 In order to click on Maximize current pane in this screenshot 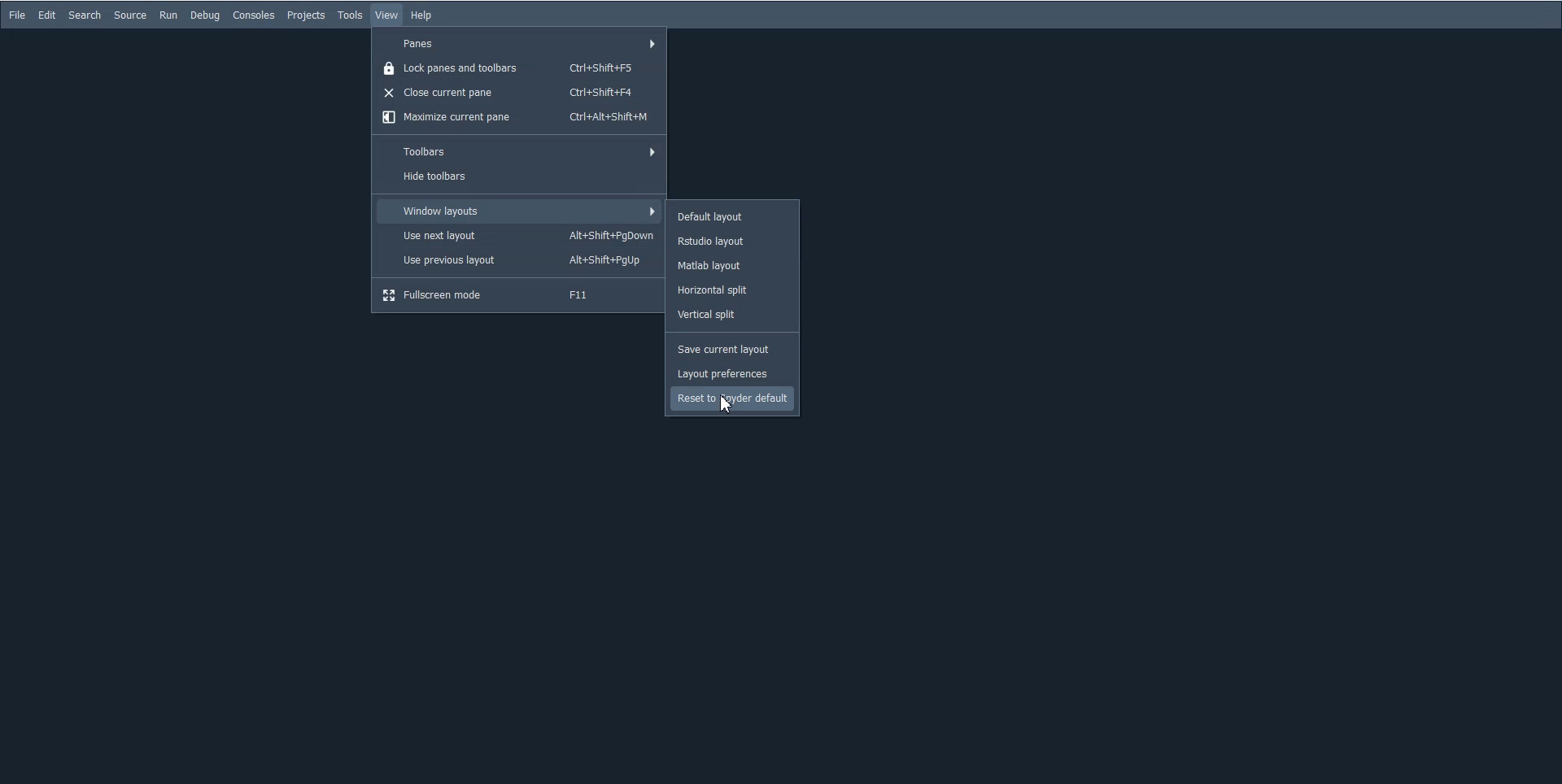, I will do `click(519, 118)`.